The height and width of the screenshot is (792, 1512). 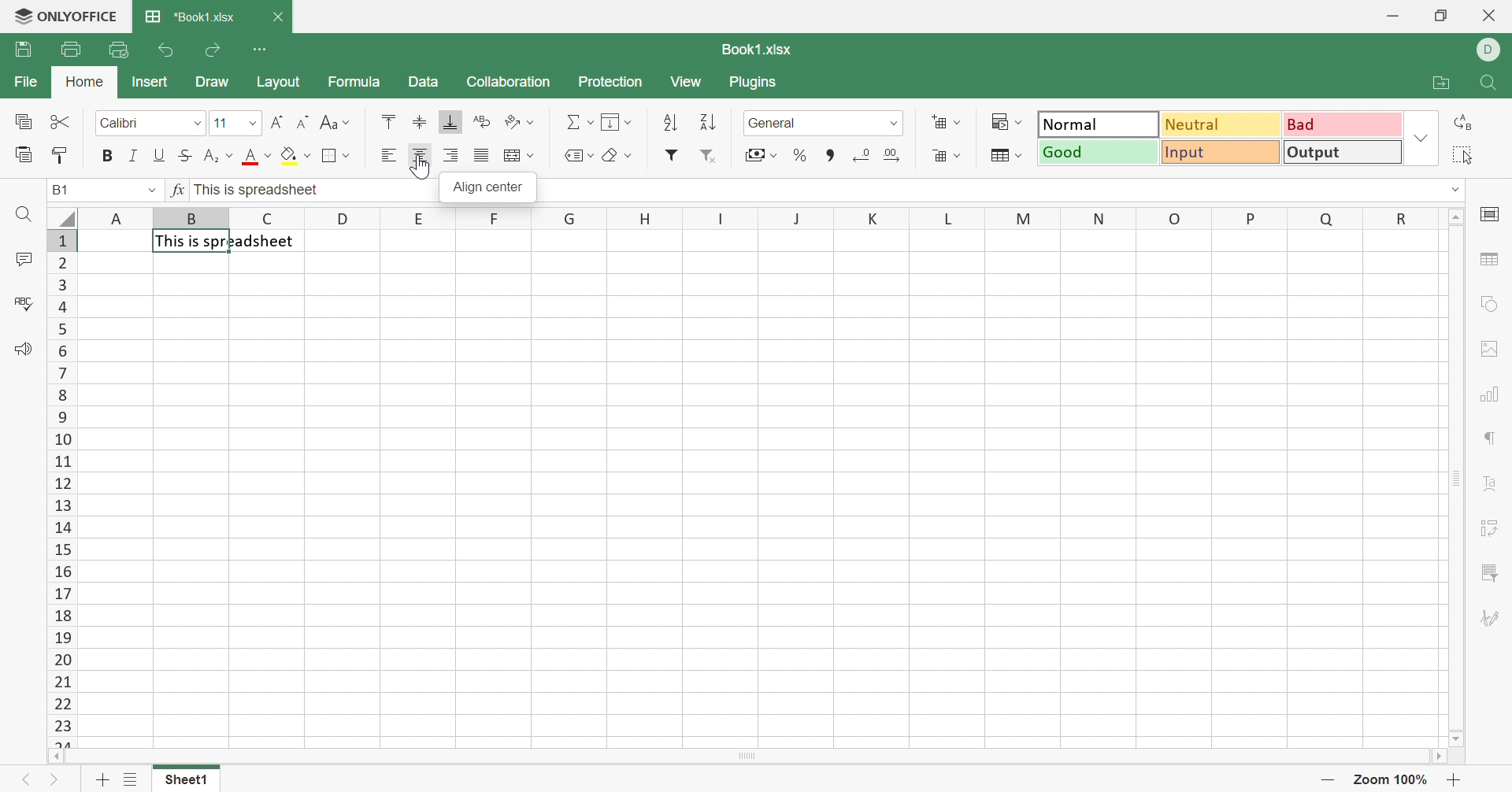 I want to click on B1, so click(x=60, y=191).